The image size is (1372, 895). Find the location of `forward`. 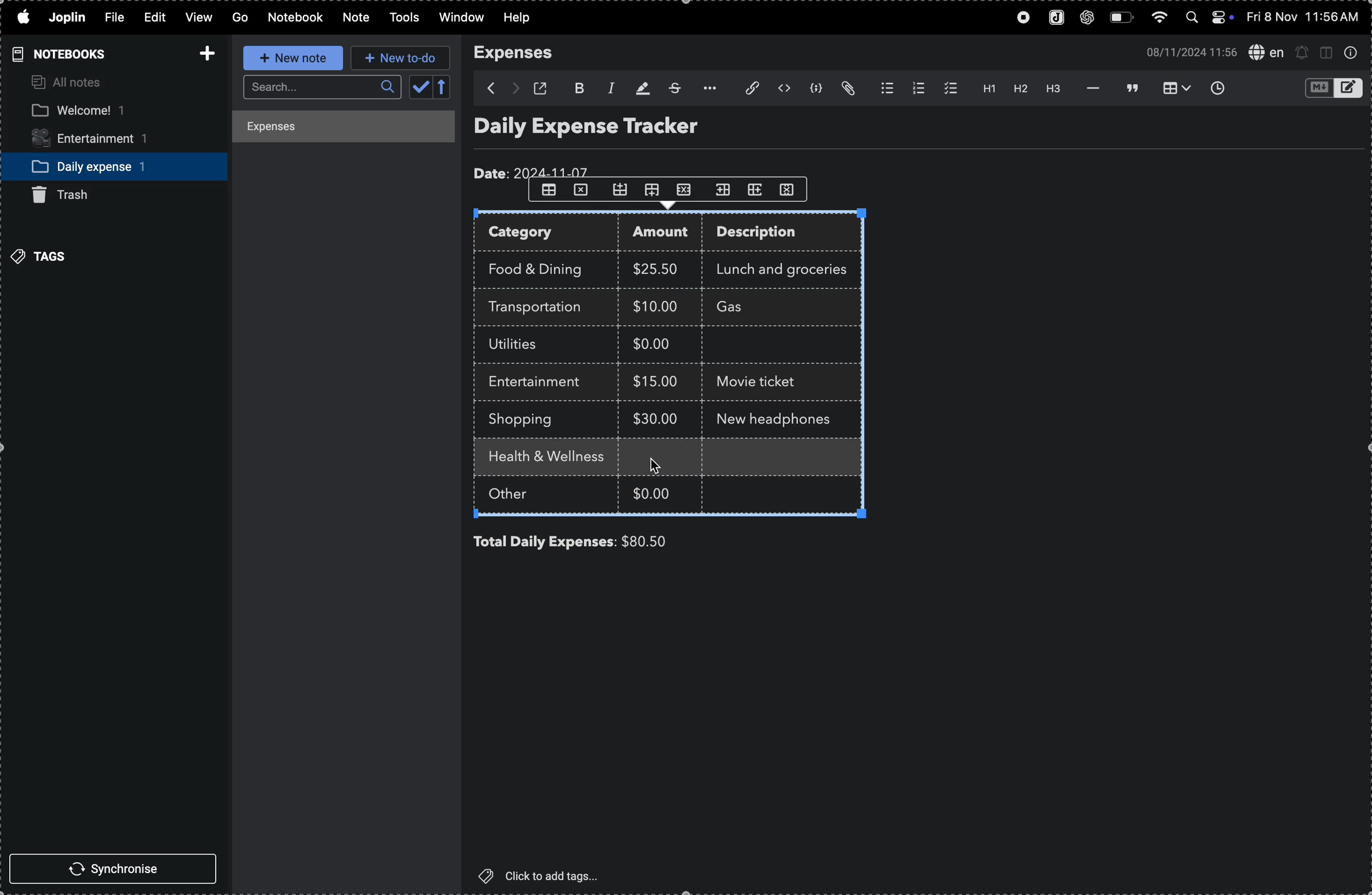

forward is located at coordinates (514, 89).